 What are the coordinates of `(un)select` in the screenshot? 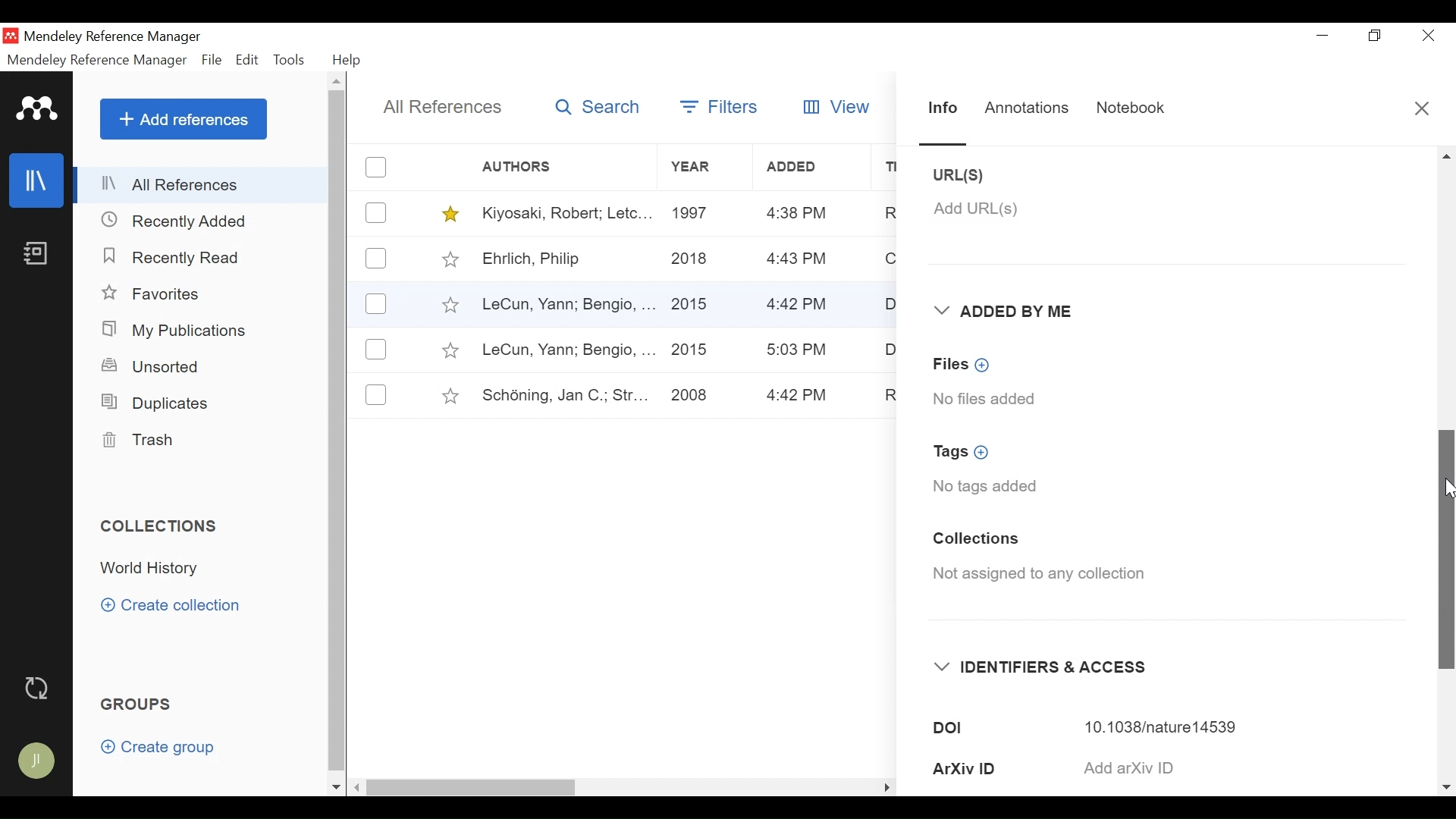 It's located at (375, 258).